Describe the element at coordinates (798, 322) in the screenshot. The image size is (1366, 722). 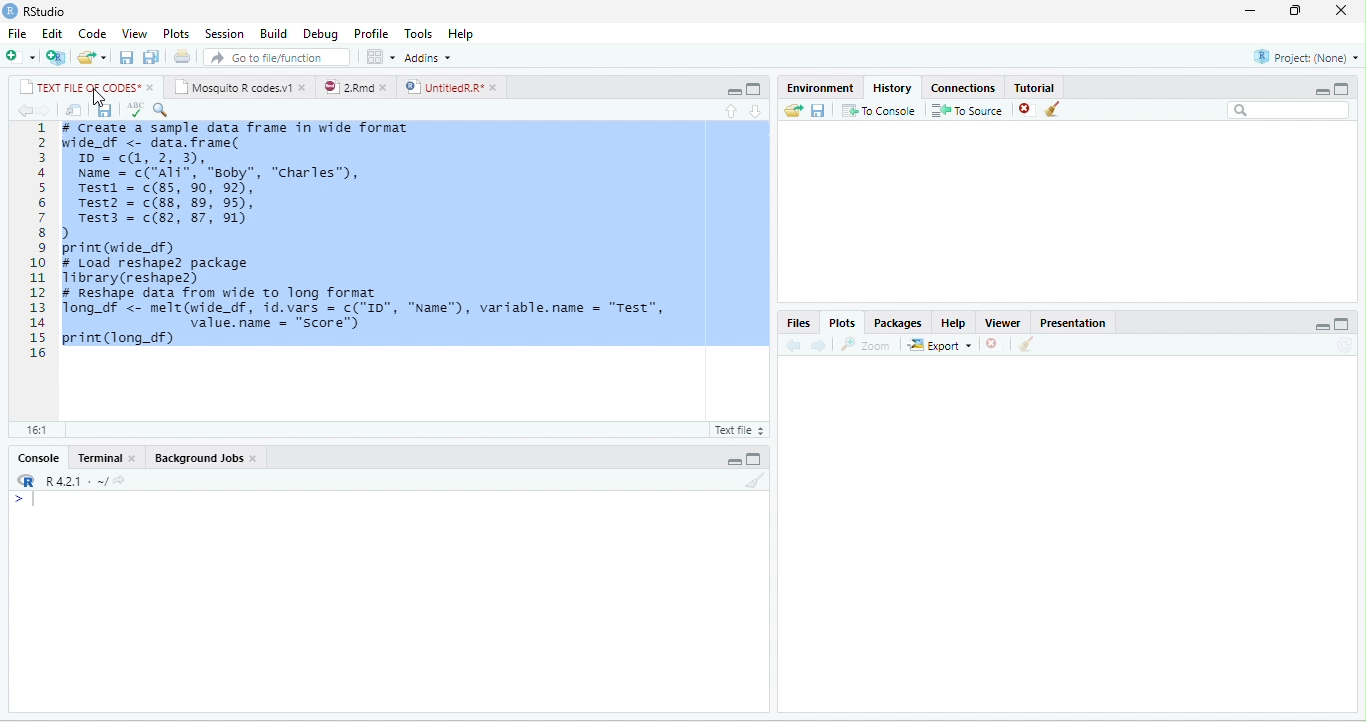
I see `Files` at that location.